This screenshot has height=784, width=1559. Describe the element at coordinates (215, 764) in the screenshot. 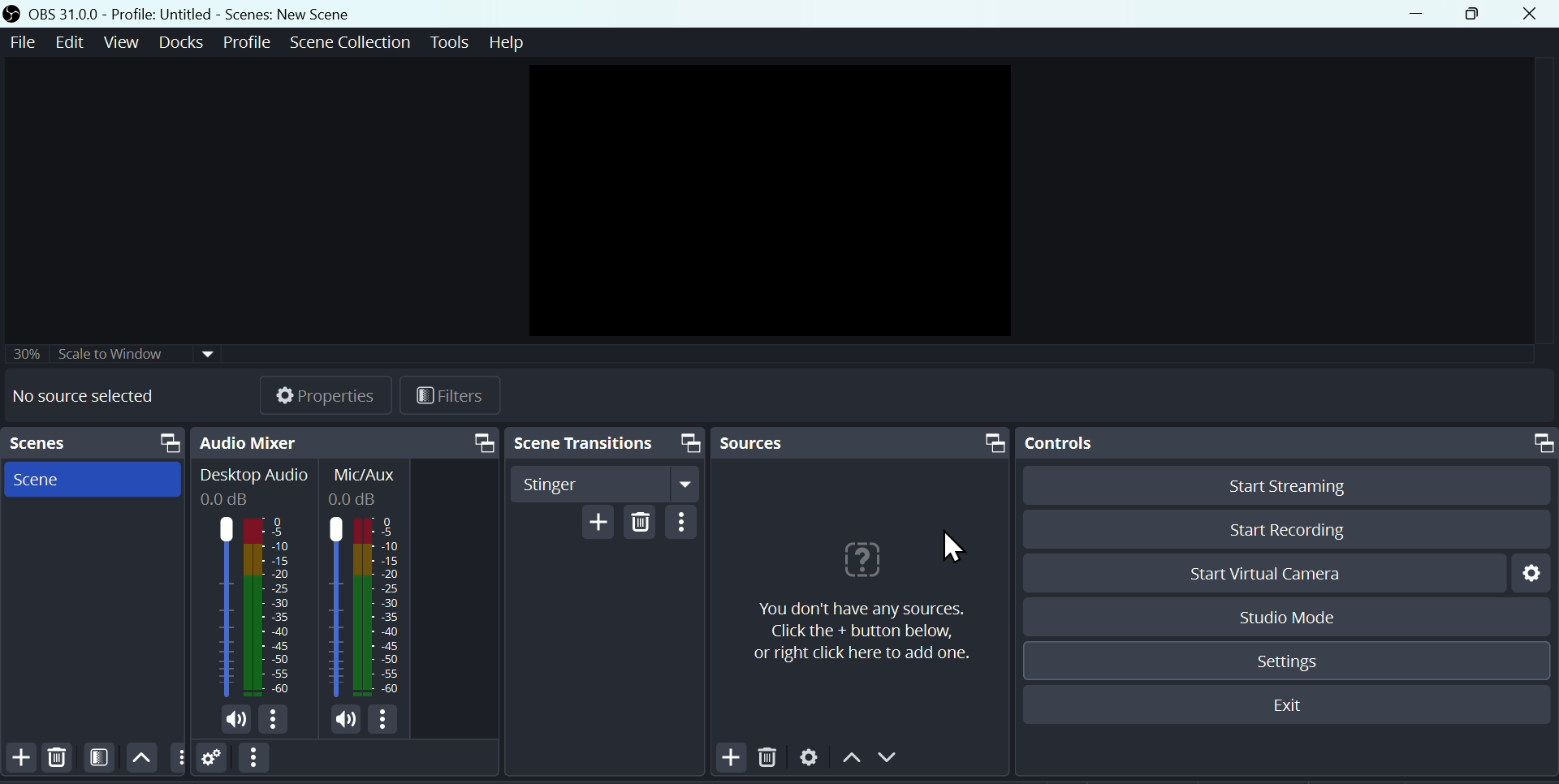

I see `Settings` at that location.